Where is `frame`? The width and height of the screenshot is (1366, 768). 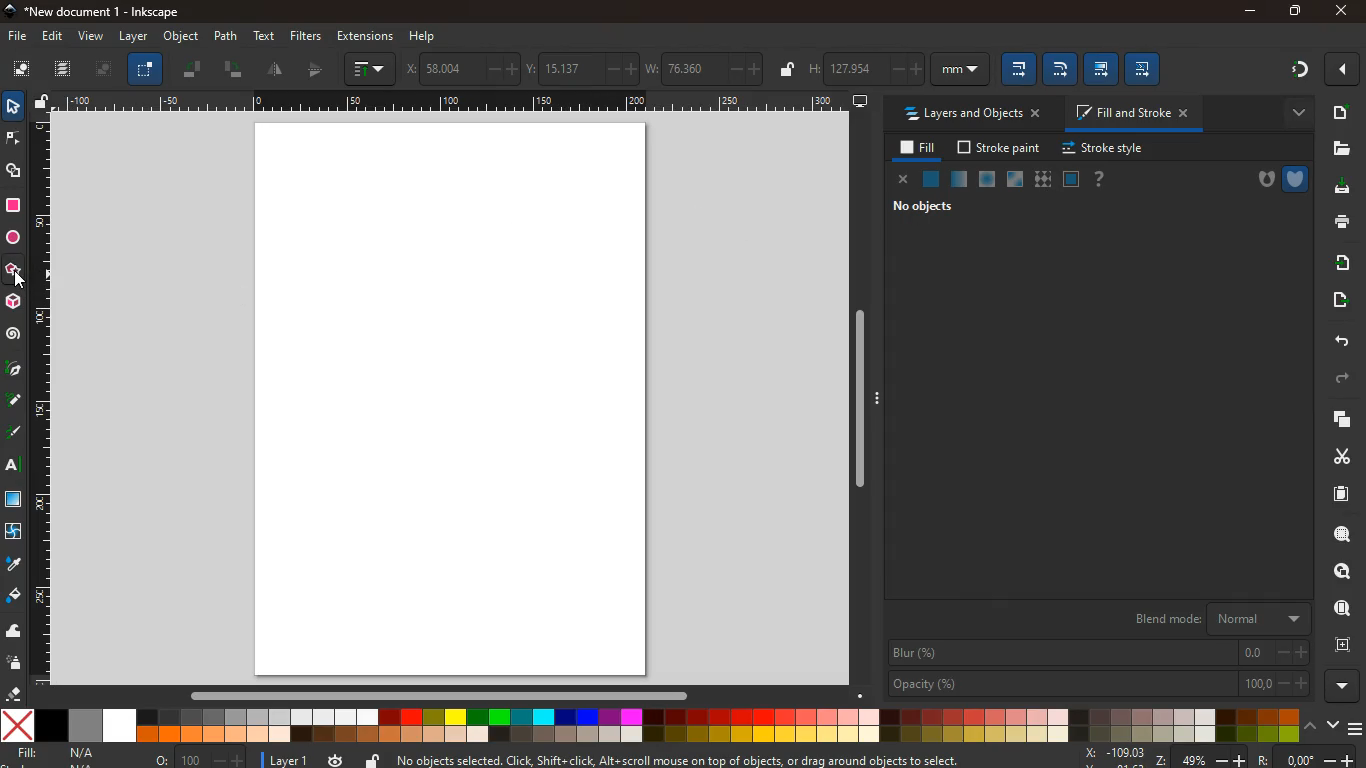
frame is located at coordinates (104, 71).